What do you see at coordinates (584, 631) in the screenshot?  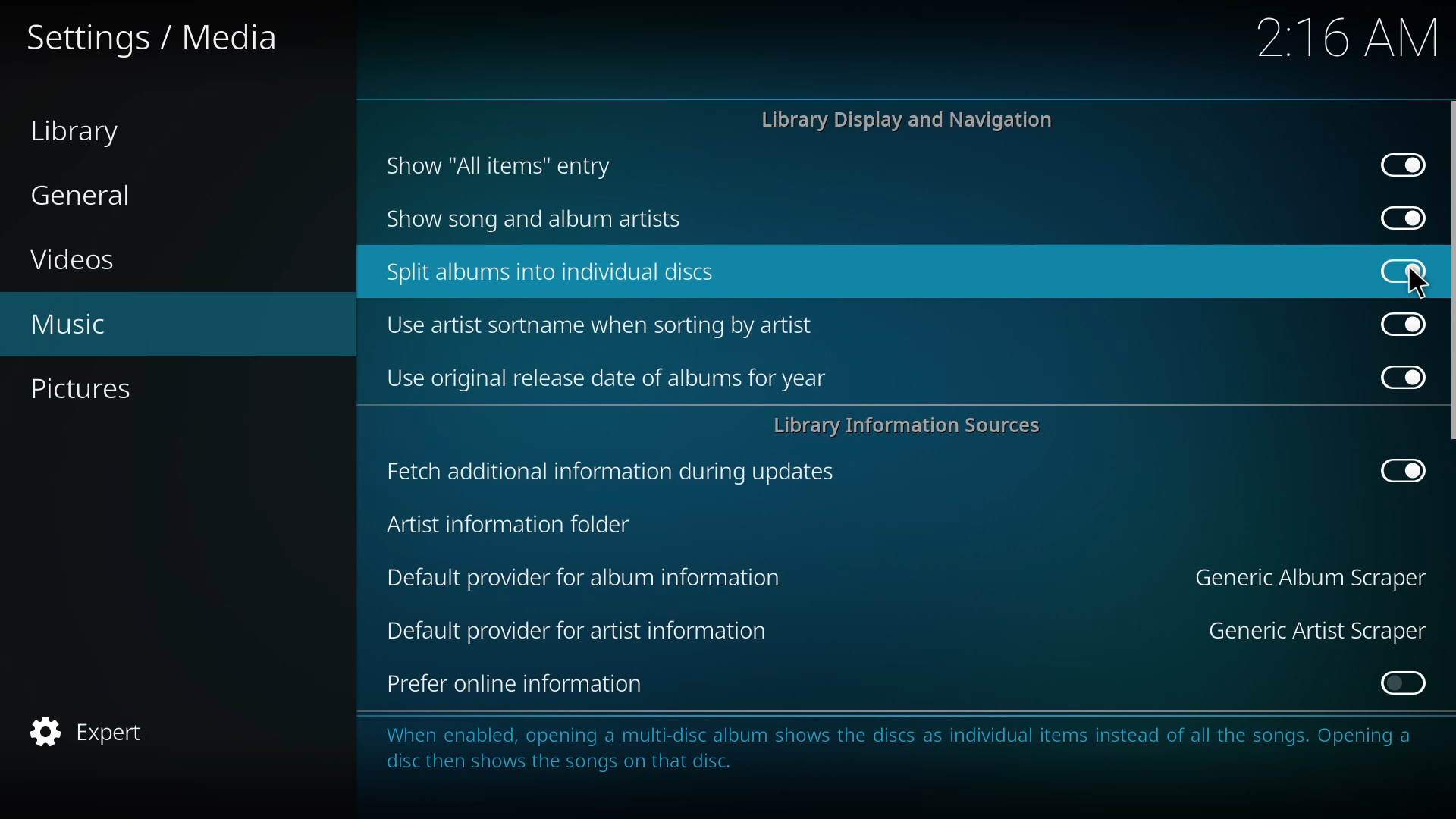 I see `default provider for artist information` at bounding box center [584, 631].